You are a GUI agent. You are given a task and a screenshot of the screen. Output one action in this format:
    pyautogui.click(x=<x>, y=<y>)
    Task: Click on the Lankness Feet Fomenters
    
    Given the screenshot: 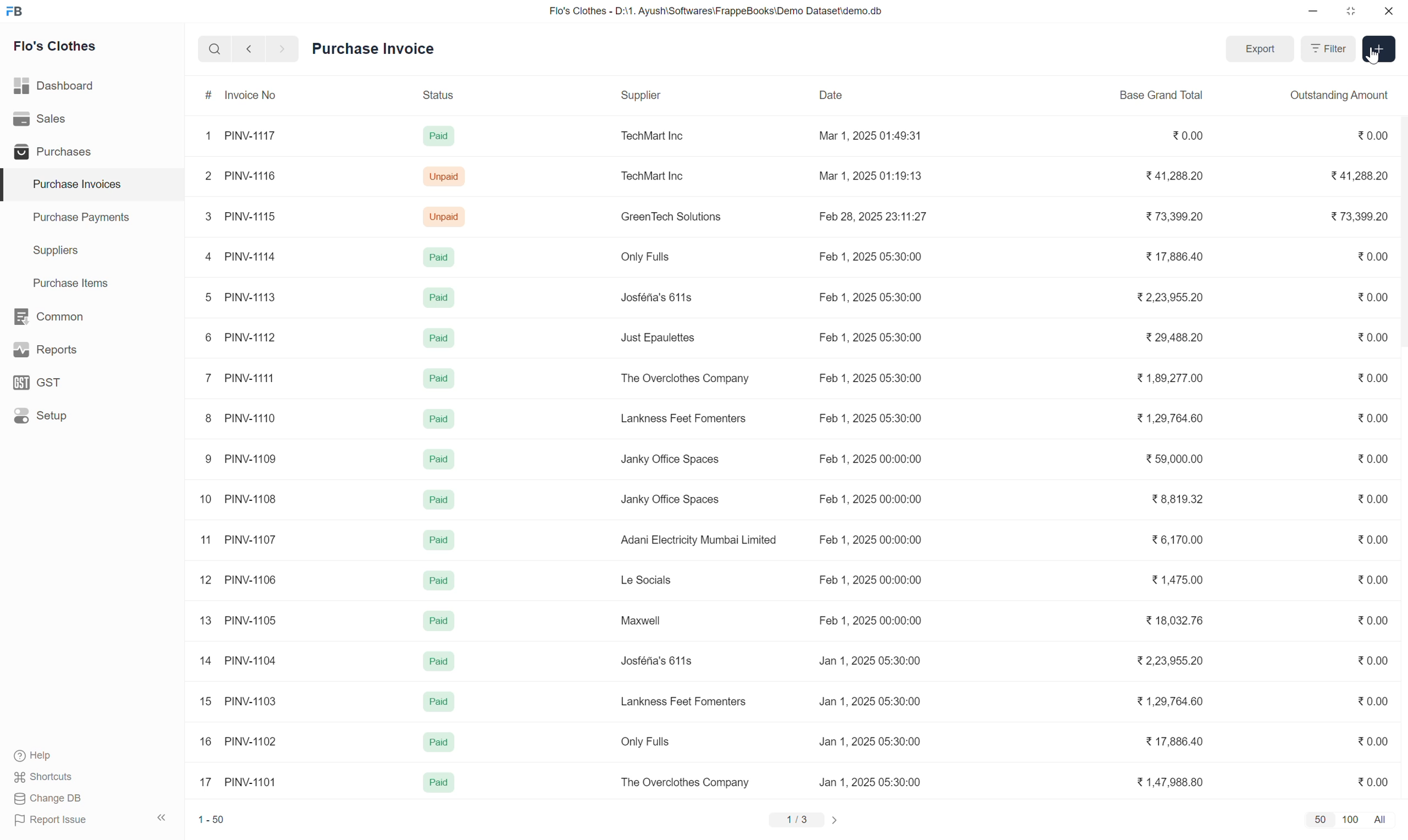 What is the action you would take?
    pyautogui.click(x=682, y=701)
    